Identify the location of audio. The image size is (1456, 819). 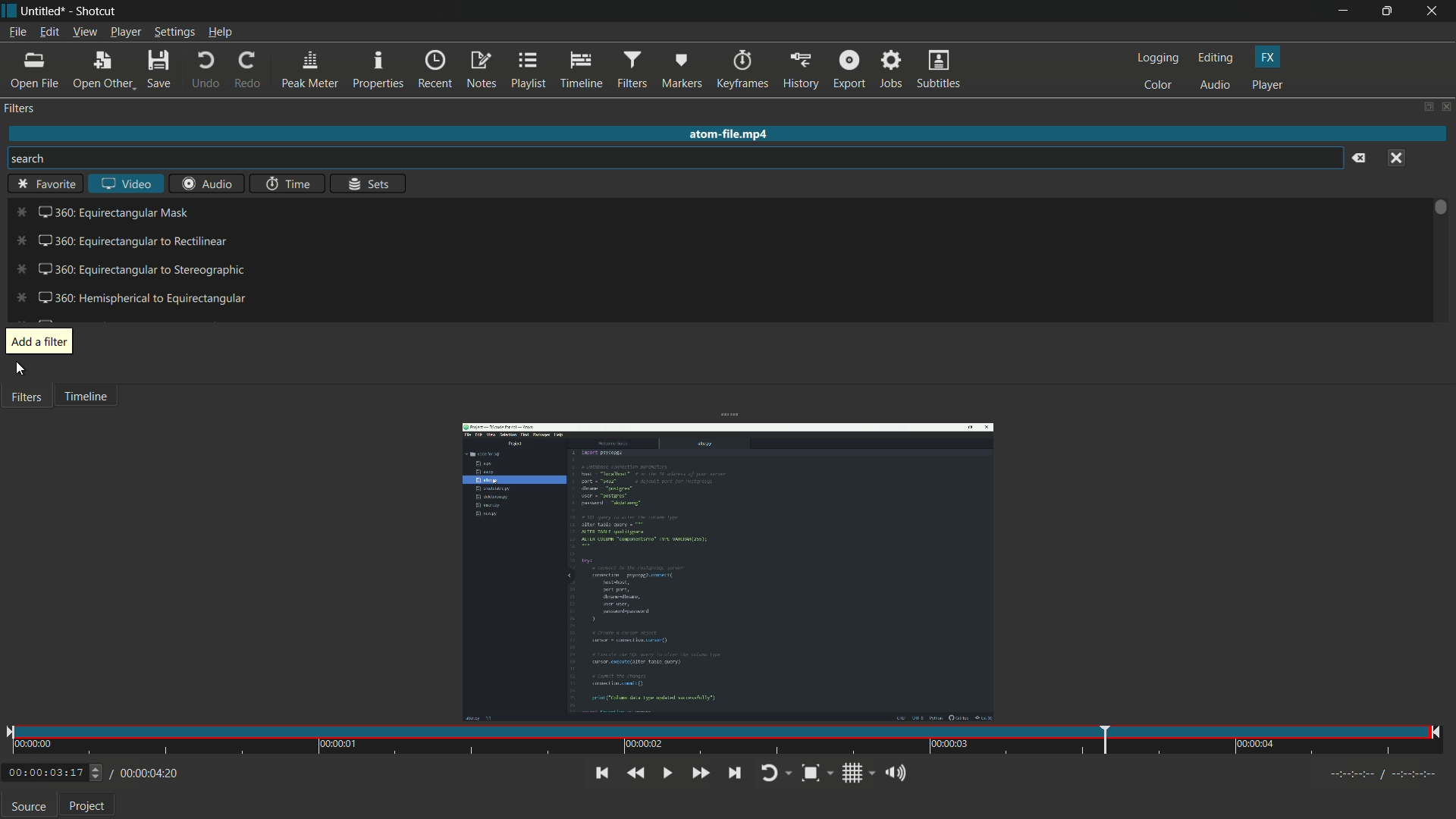
(204, 183).